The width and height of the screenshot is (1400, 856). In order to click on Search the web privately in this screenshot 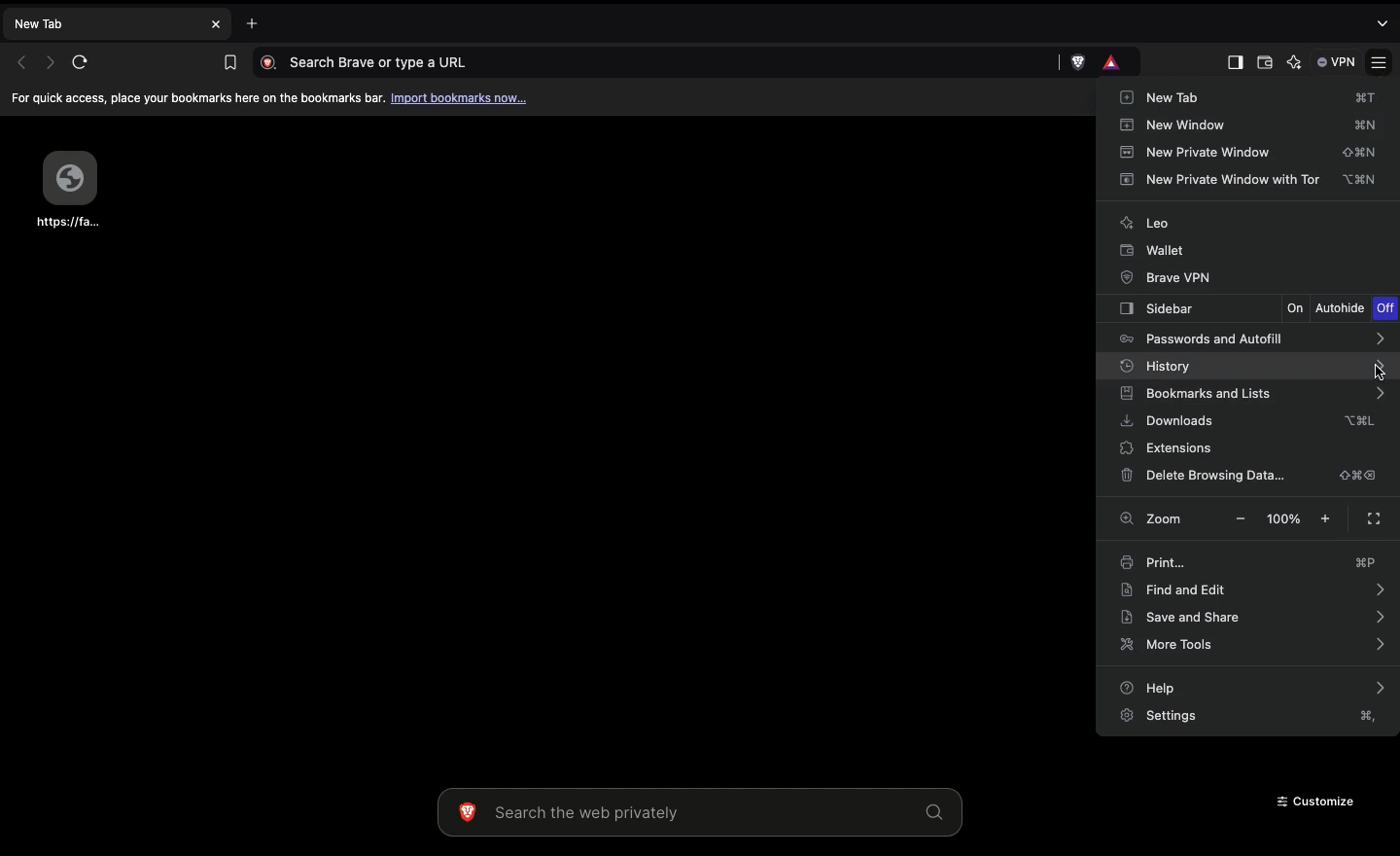, I will do `click(693, 812)`.